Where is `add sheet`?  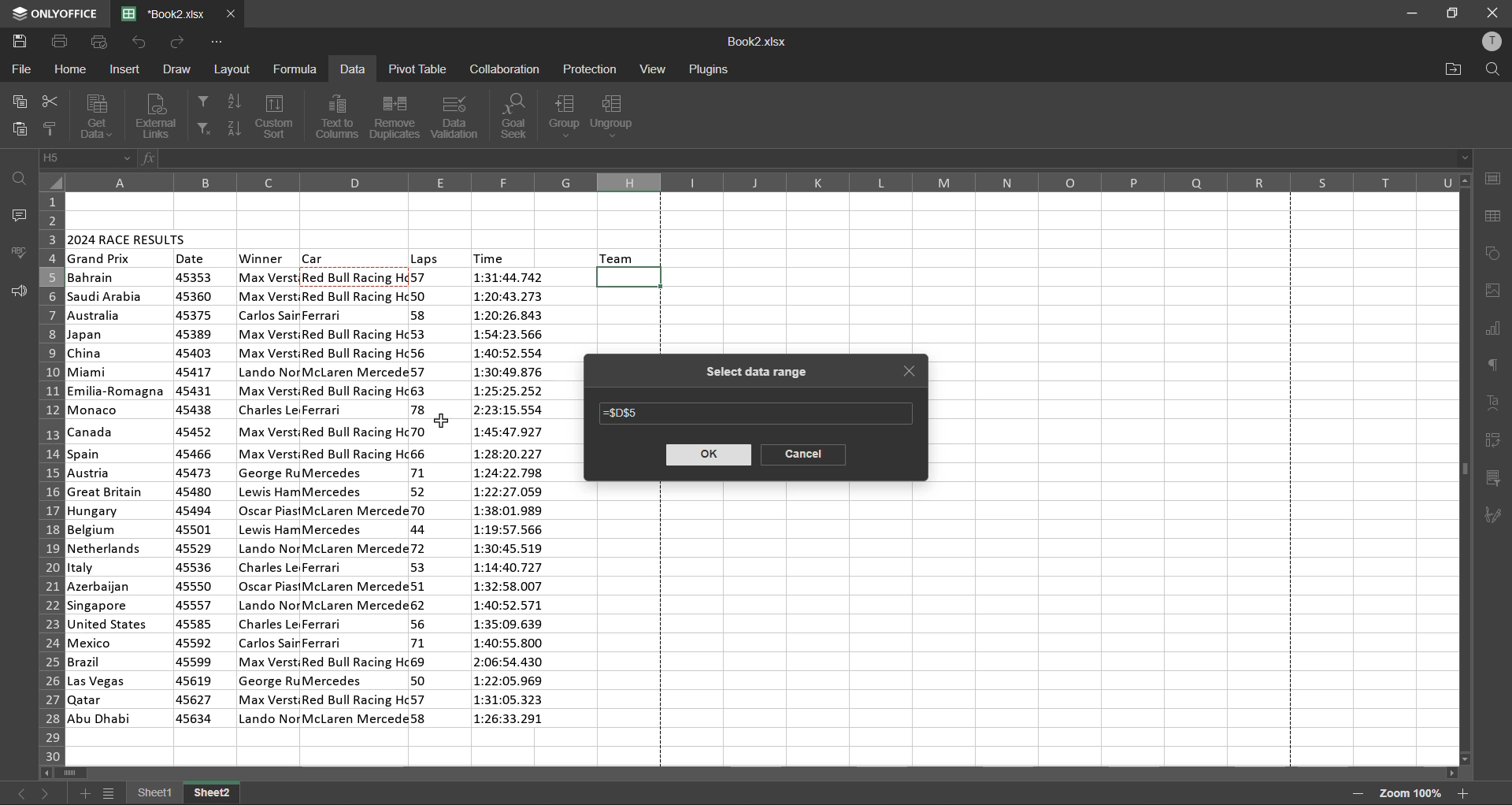 add sheet is located at coordinates (84, 793).